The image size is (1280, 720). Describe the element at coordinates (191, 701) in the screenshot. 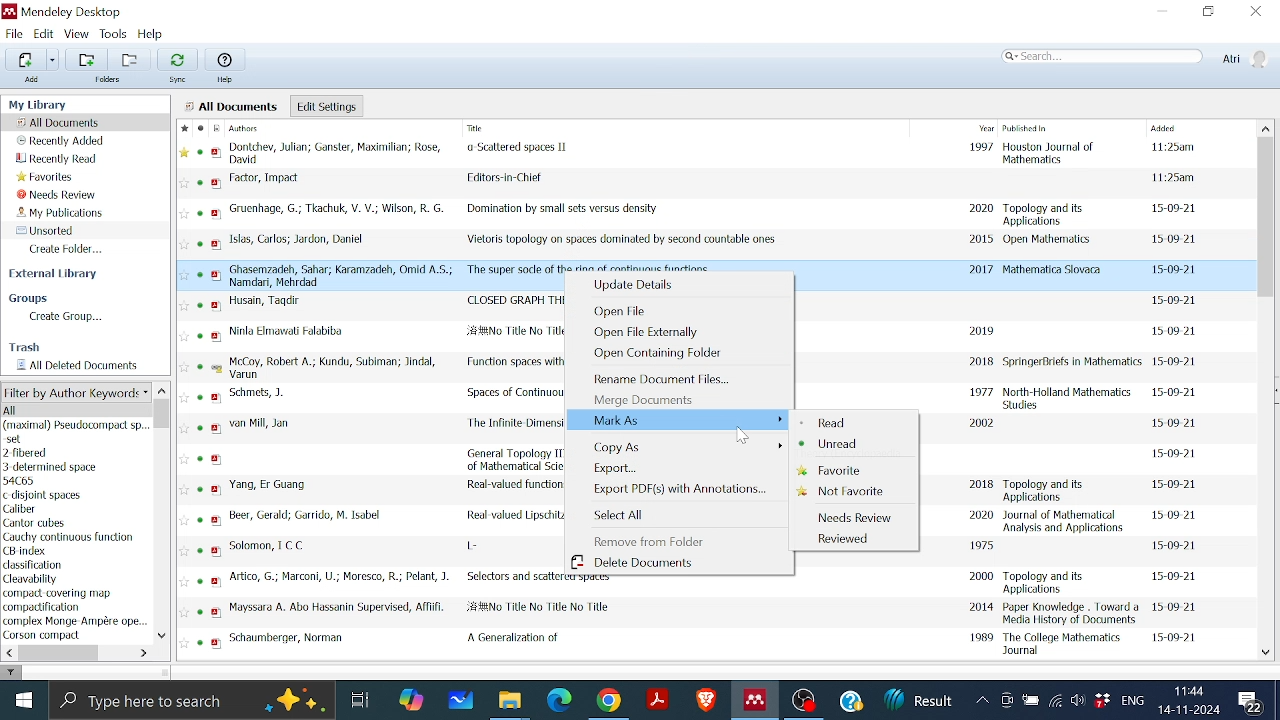

I see `Type here to search` at that location.